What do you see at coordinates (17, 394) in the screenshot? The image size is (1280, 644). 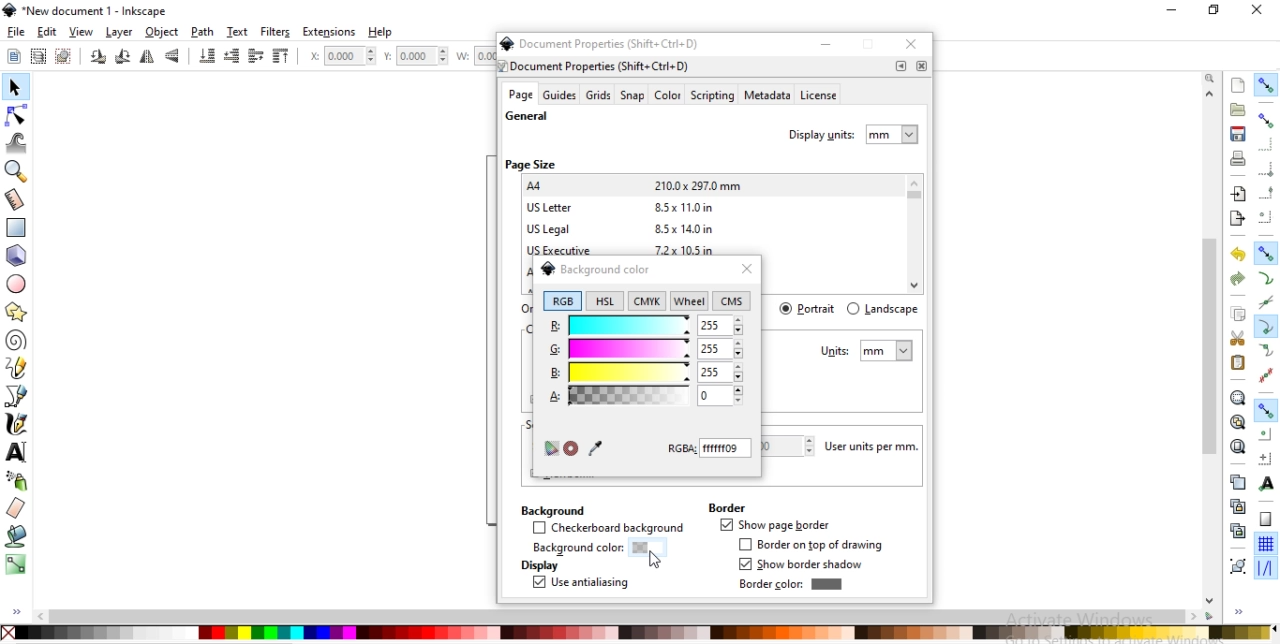 I see `draw bezier curves and straight lines` at bounding box center [17, 394].